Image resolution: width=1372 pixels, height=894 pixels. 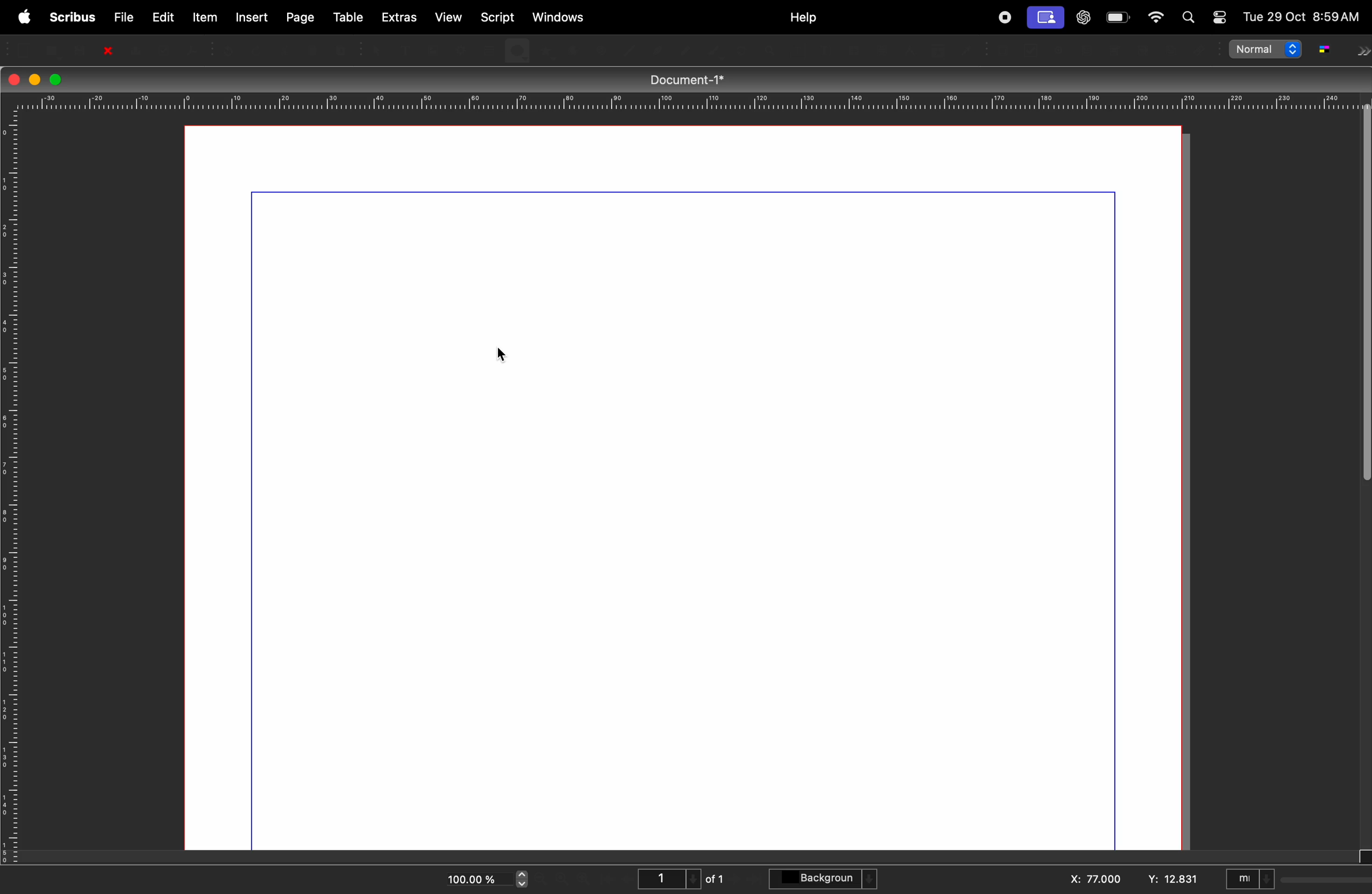 I want to click on apple menu, so click(x=22, y=16).